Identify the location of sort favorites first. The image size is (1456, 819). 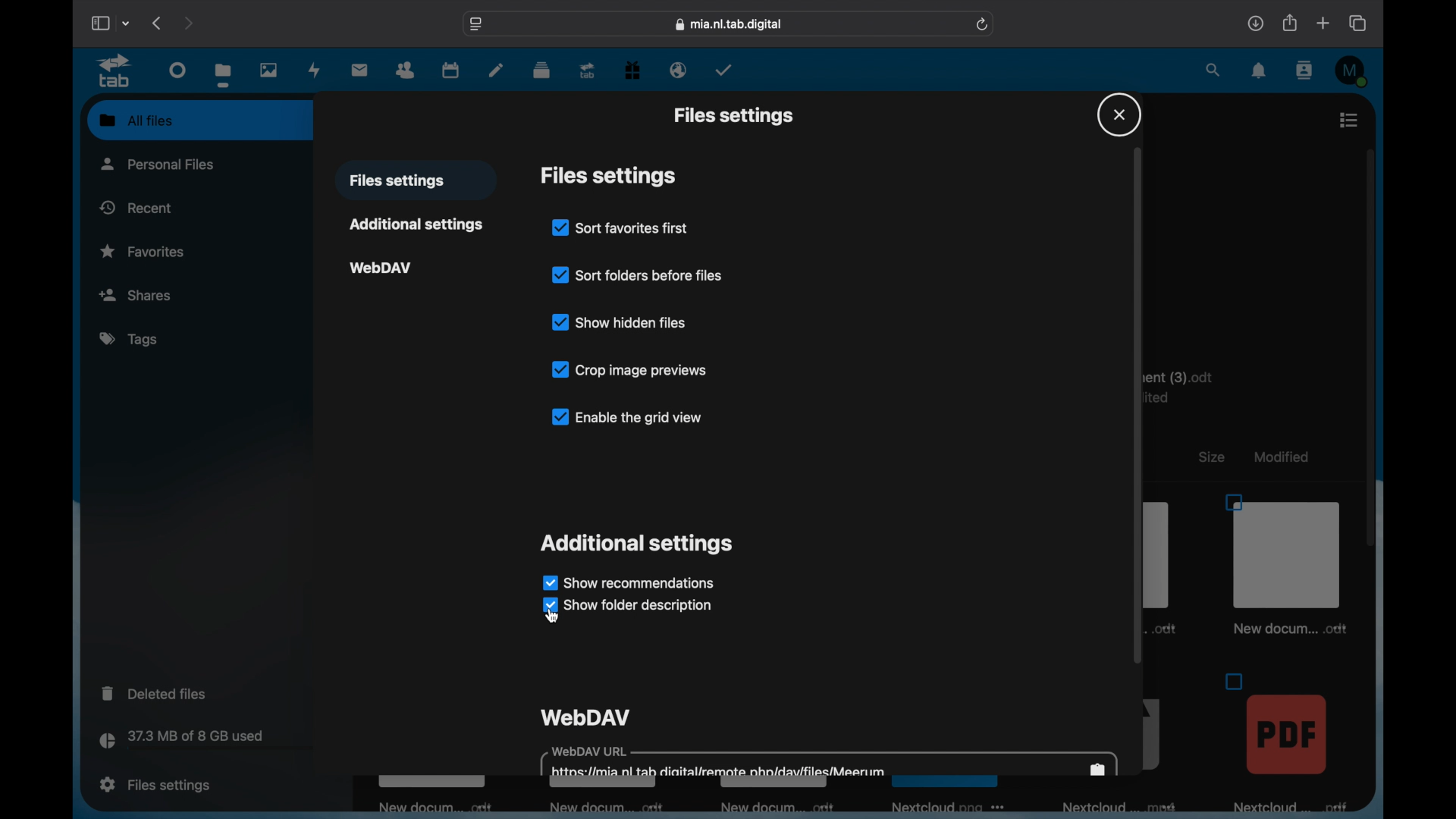
(620, 227).